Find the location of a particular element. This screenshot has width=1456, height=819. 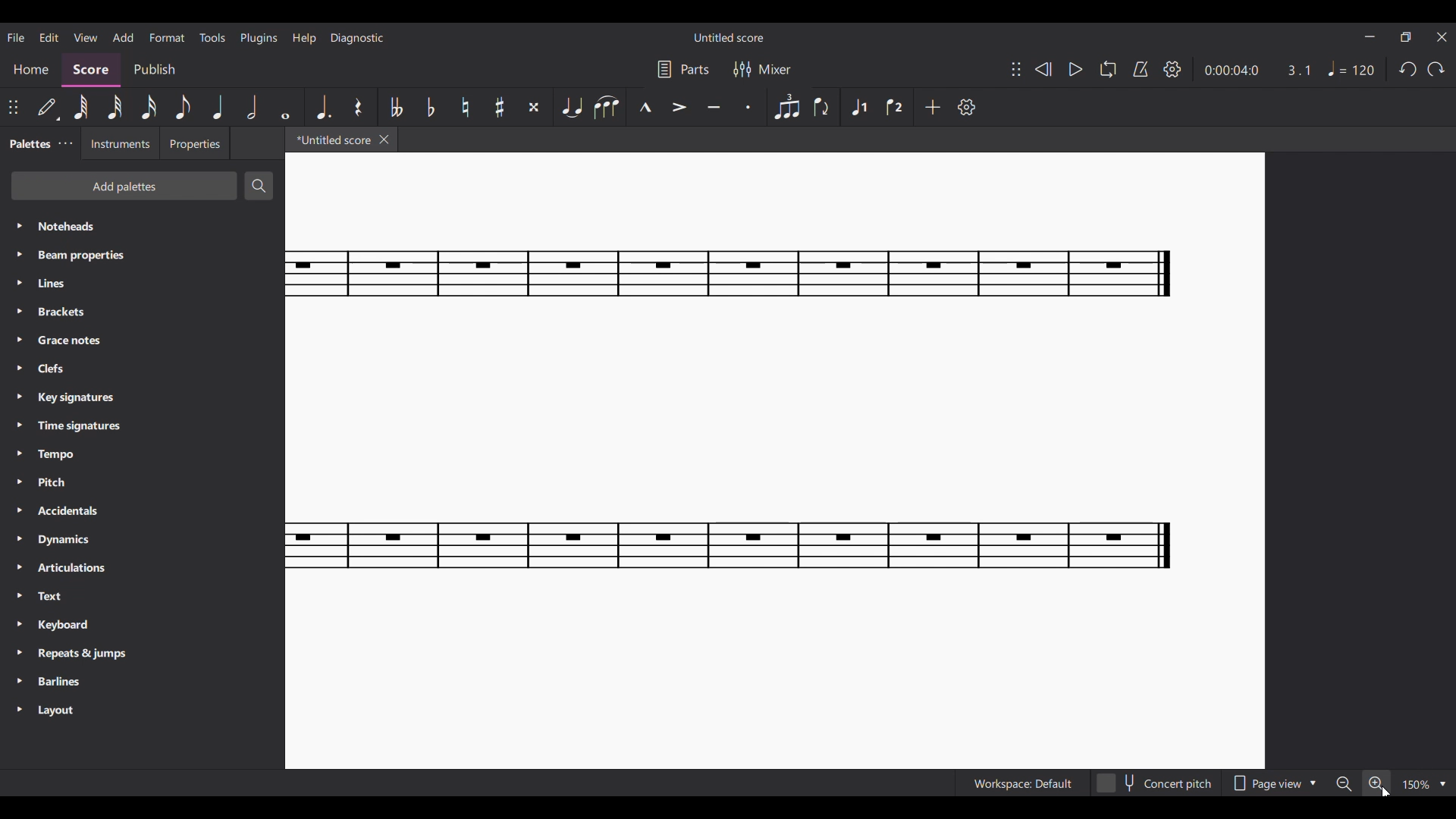

Augmentation dot is located at coordinates (323, 106).